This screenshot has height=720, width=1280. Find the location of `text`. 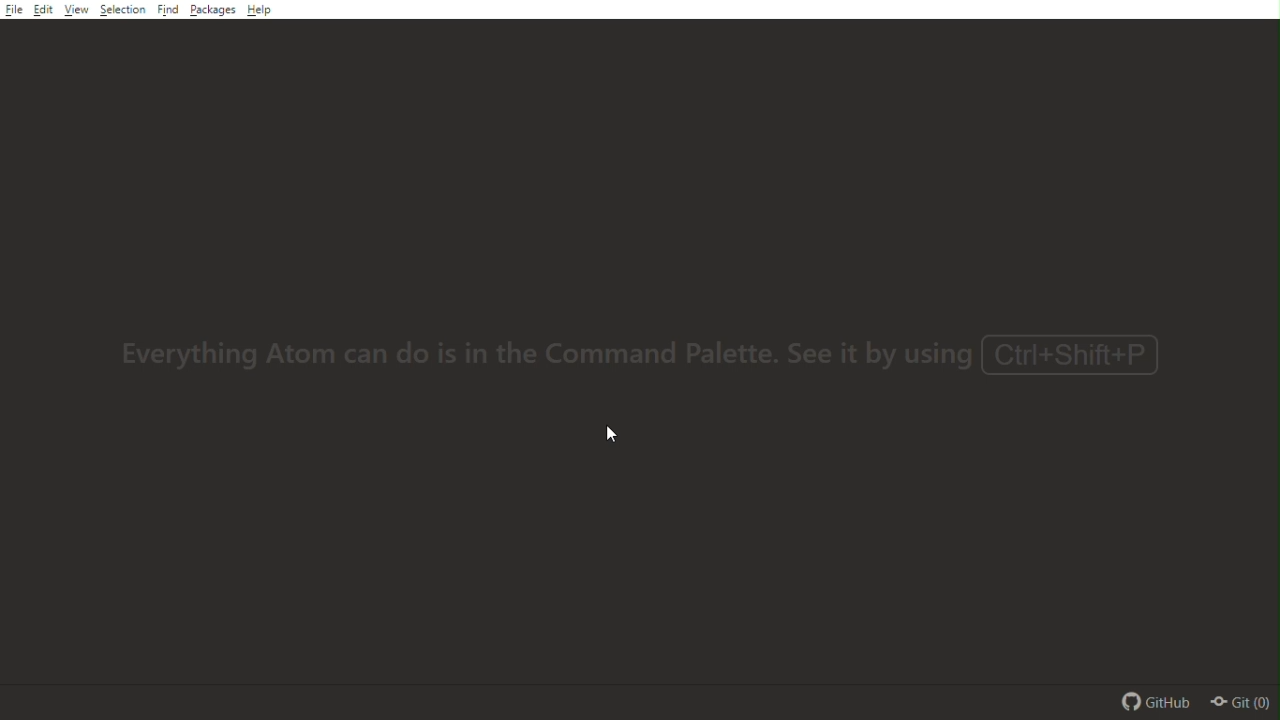

text is located at coordinates (655, 360).